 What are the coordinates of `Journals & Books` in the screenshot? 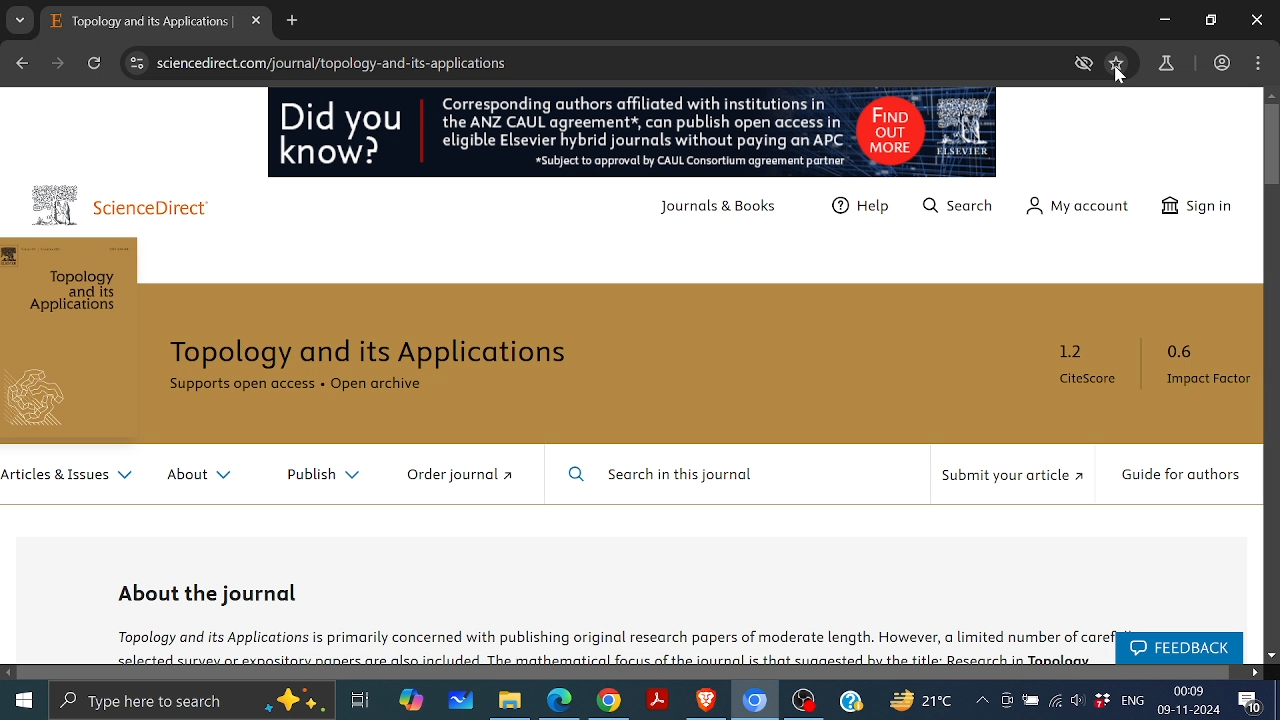 It's located at (725, 210).